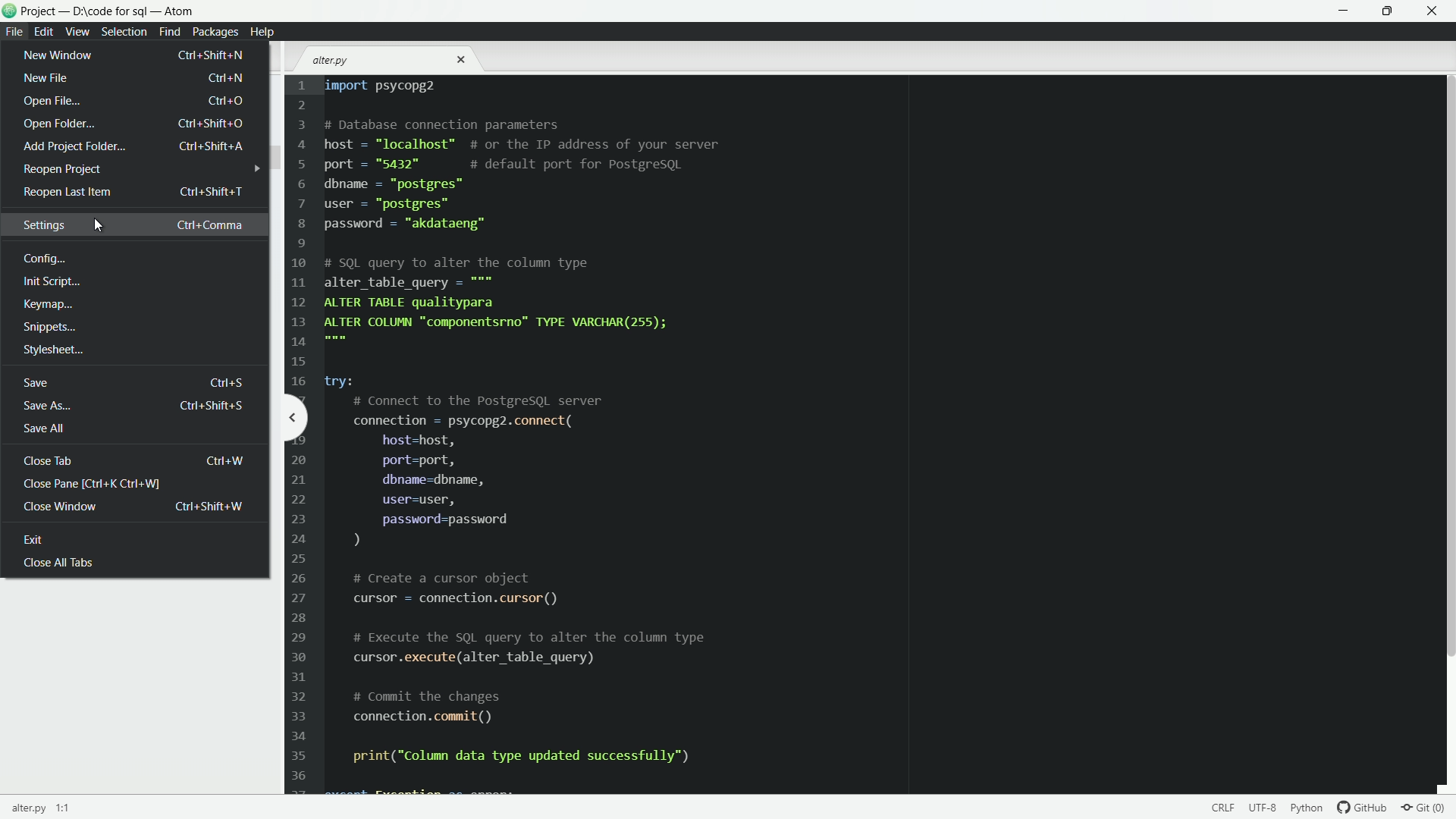  I want to click on save, so click(133, 382).